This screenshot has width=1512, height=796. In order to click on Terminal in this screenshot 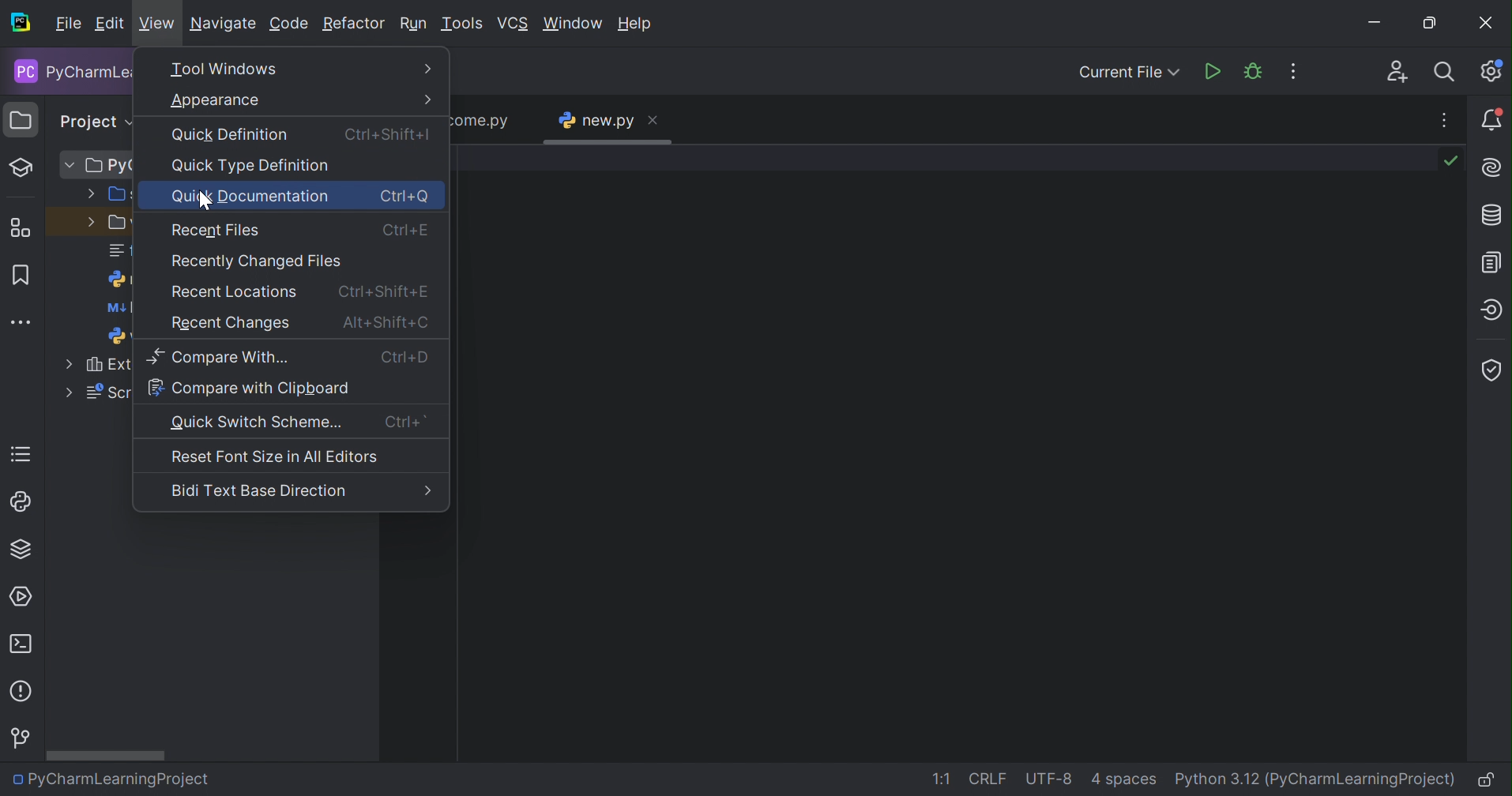, I will do `click(25, 645)`.